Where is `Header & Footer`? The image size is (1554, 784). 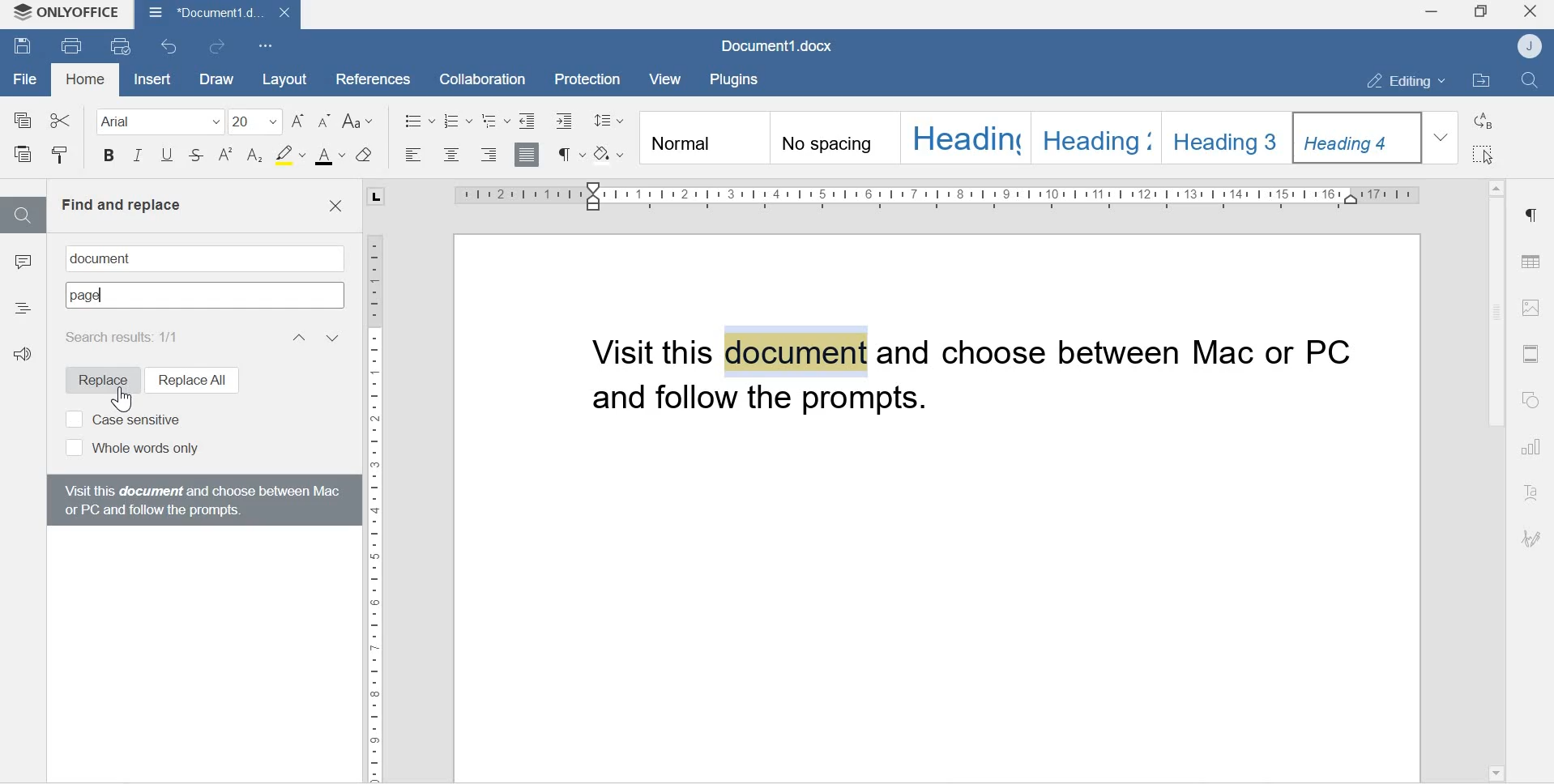 Header & Footer is located at coordinates (1531, 353).